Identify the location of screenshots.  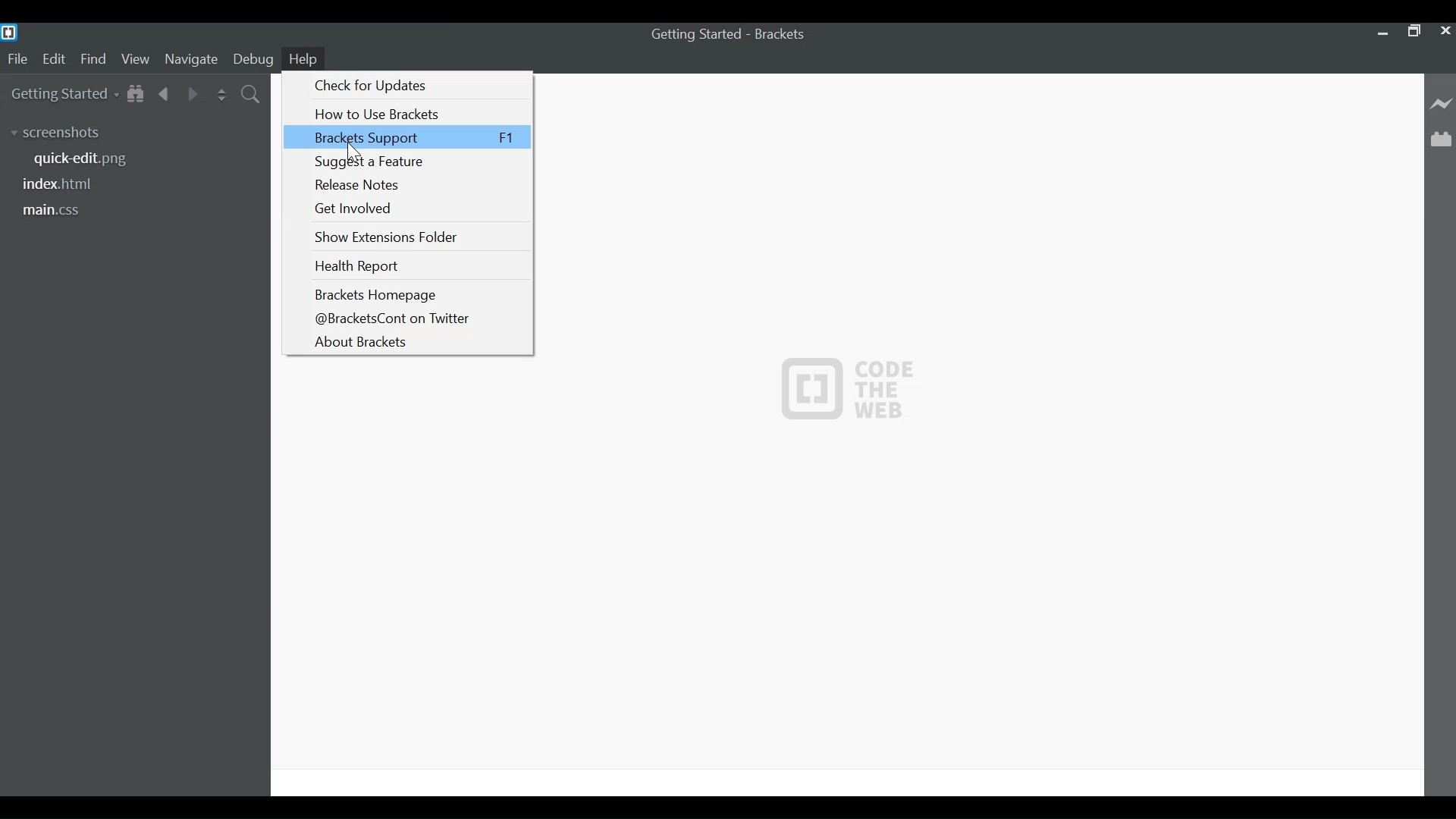
(61, 132).